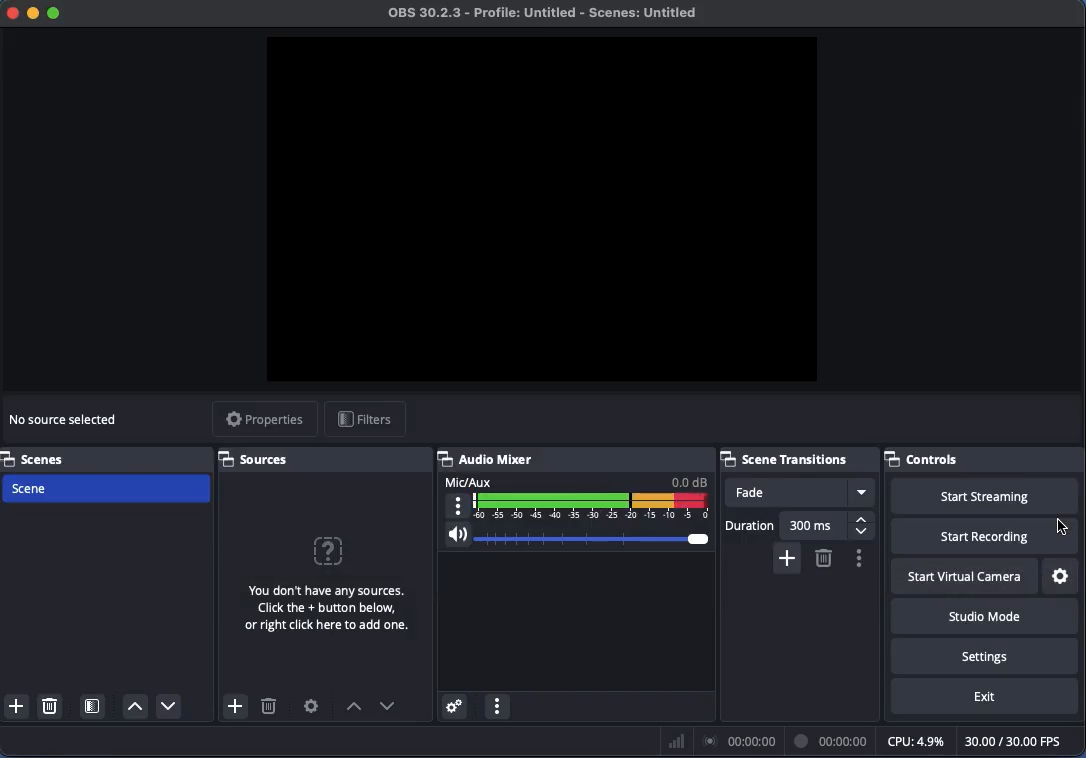  What do you see at coordinates (17, 706) in the screenshot?
I see `Add scenes` at bounding box center [17, 706].